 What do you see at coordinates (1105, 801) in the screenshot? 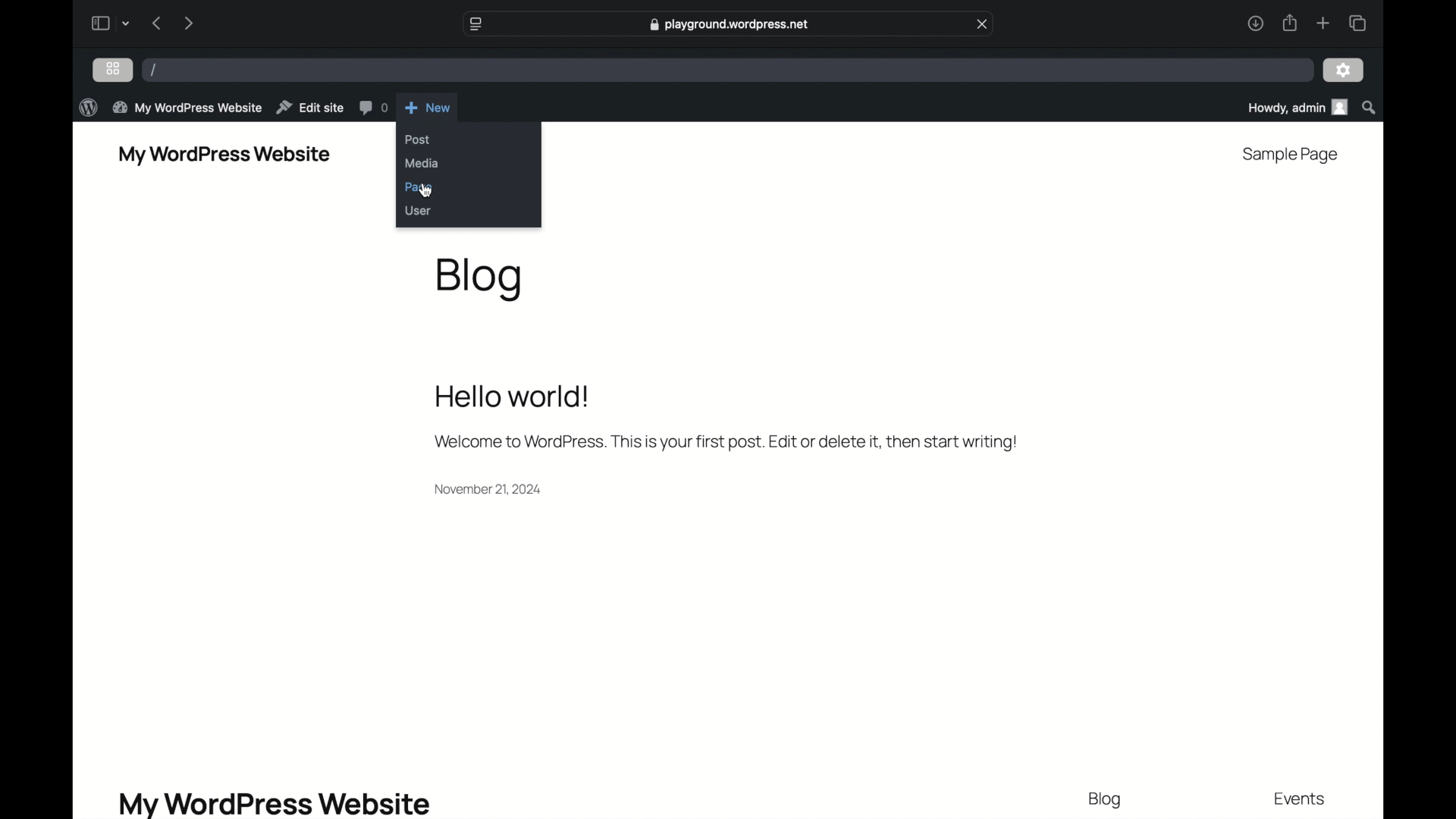
I see `blog` at bounding box center [1105, 801].